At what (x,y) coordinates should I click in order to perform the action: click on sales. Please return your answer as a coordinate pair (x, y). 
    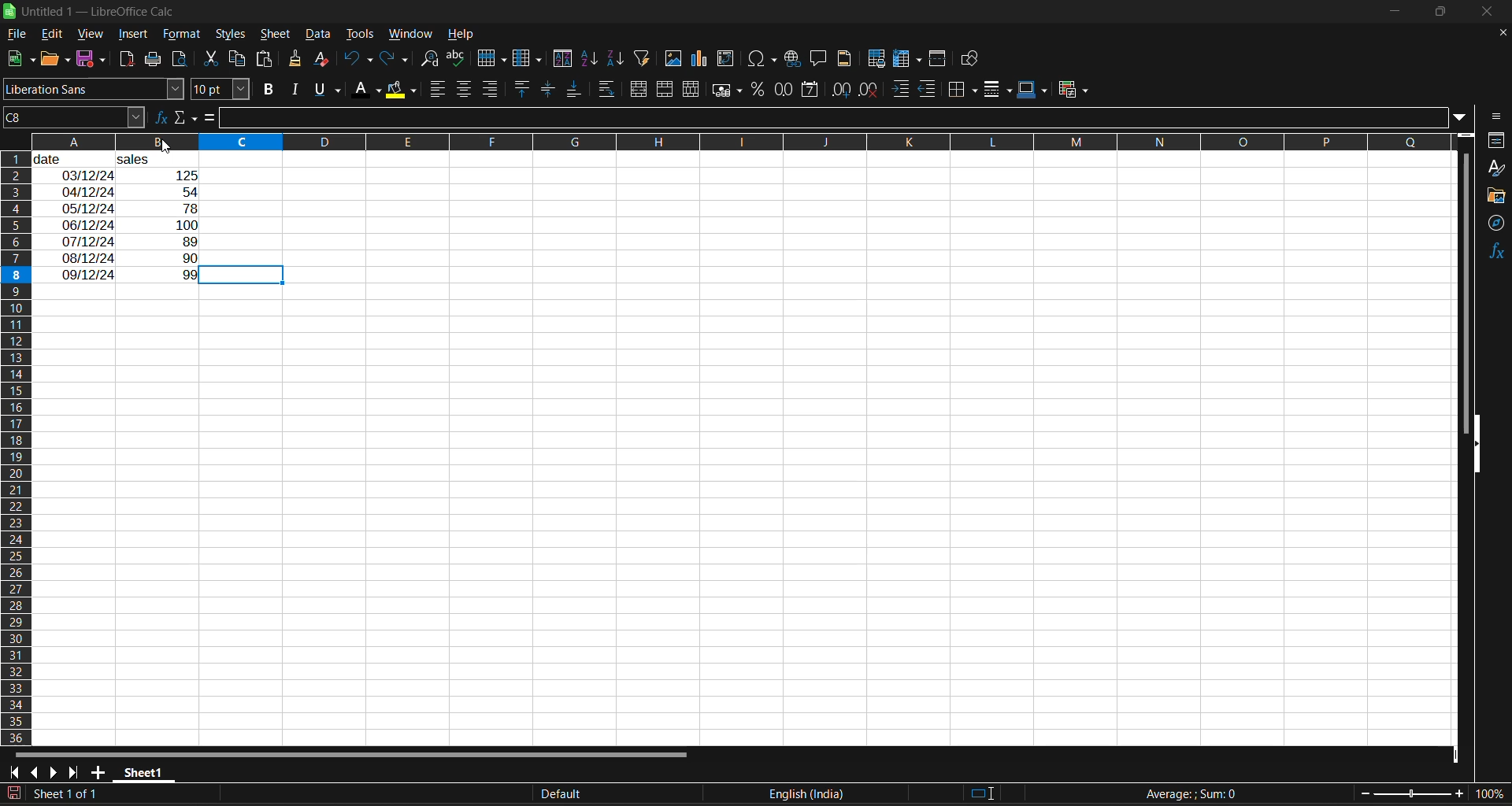
    Looking at the image, I should click on (154, 158).